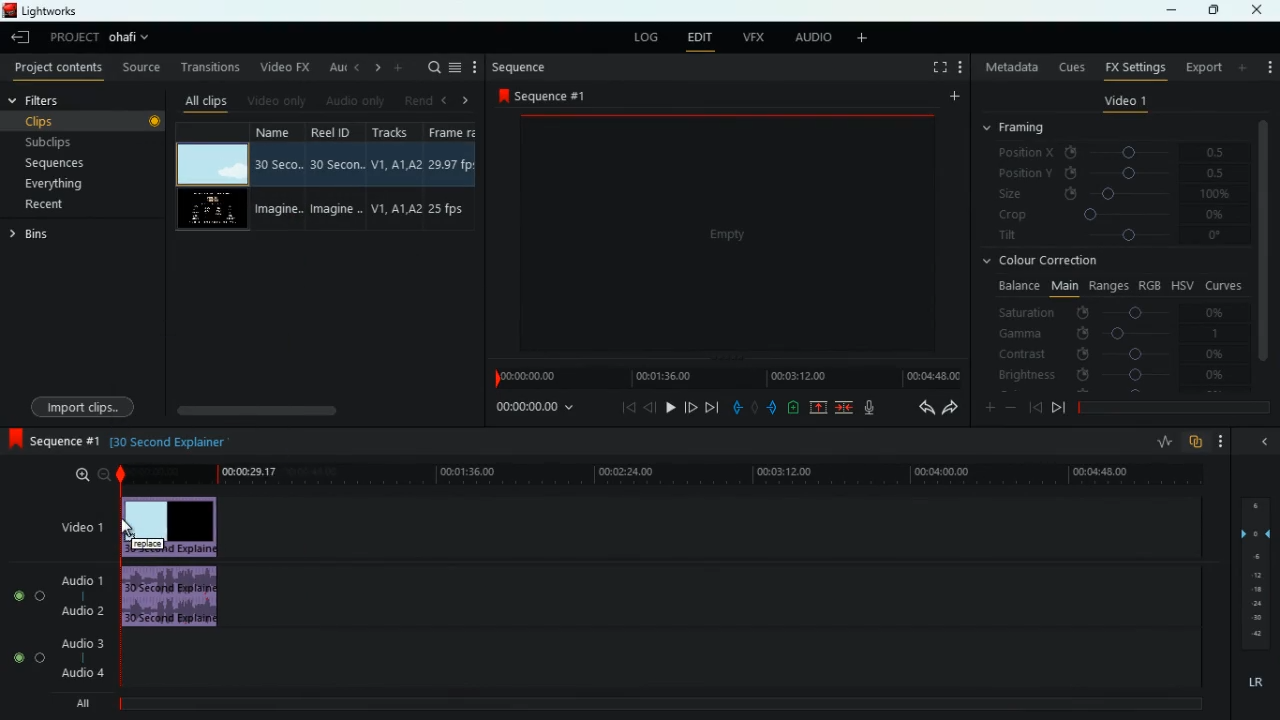  Describe the element at coordinates (1252, 604) in the screenshot. I see `-24 (layer)` at that location.